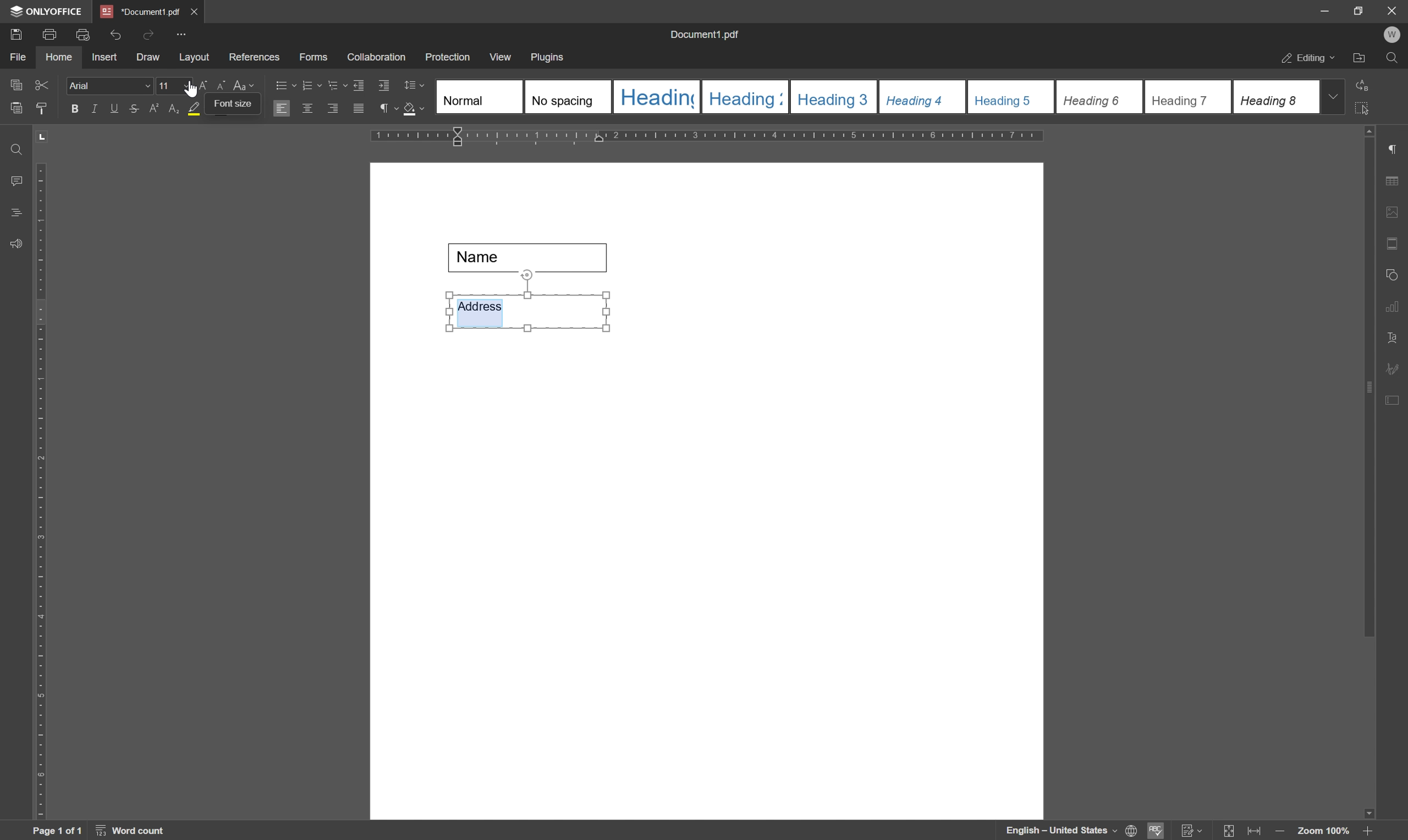 Image resolution: width=1408 pixels, height=840 pixels. What do you see at coordinates (378, 58) in the screenshot?
I see `collaboration` at bounding box center [378, 58].